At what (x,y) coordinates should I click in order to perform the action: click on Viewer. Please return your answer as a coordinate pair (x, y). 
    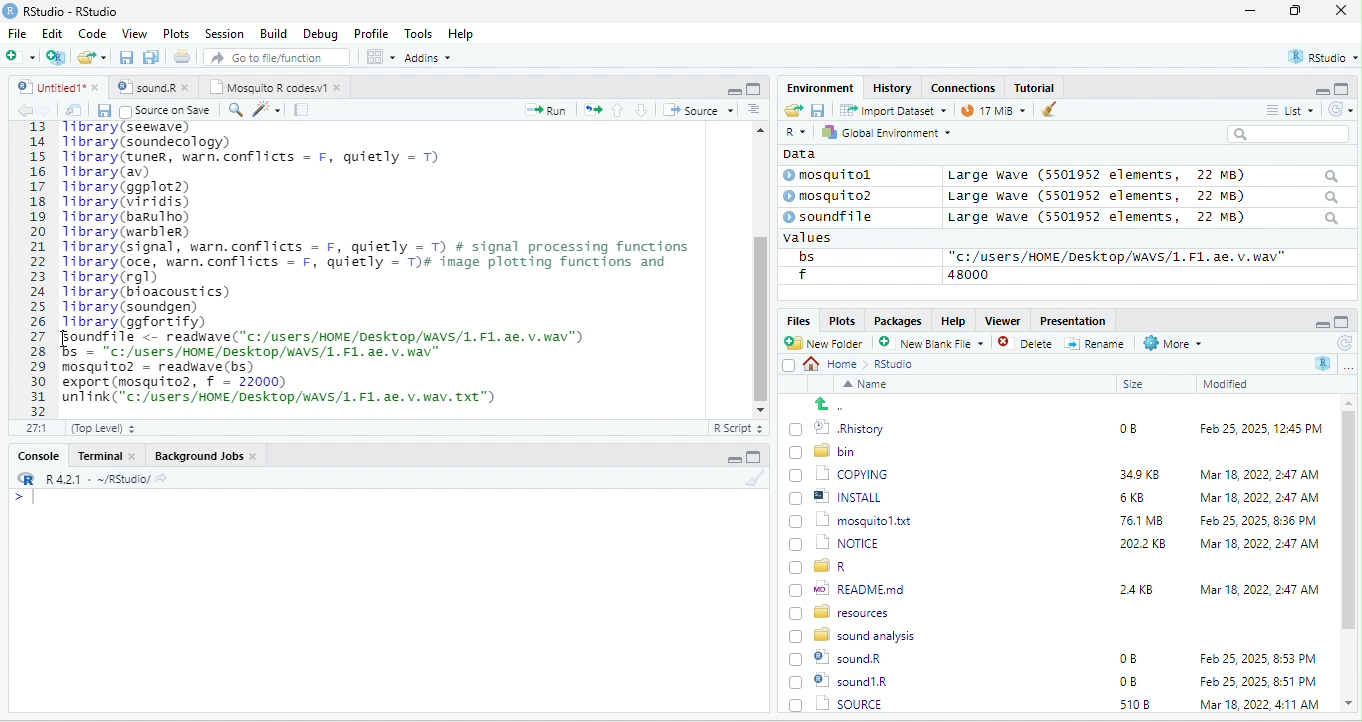
    Looking at the image, I should click on (1000, 321).